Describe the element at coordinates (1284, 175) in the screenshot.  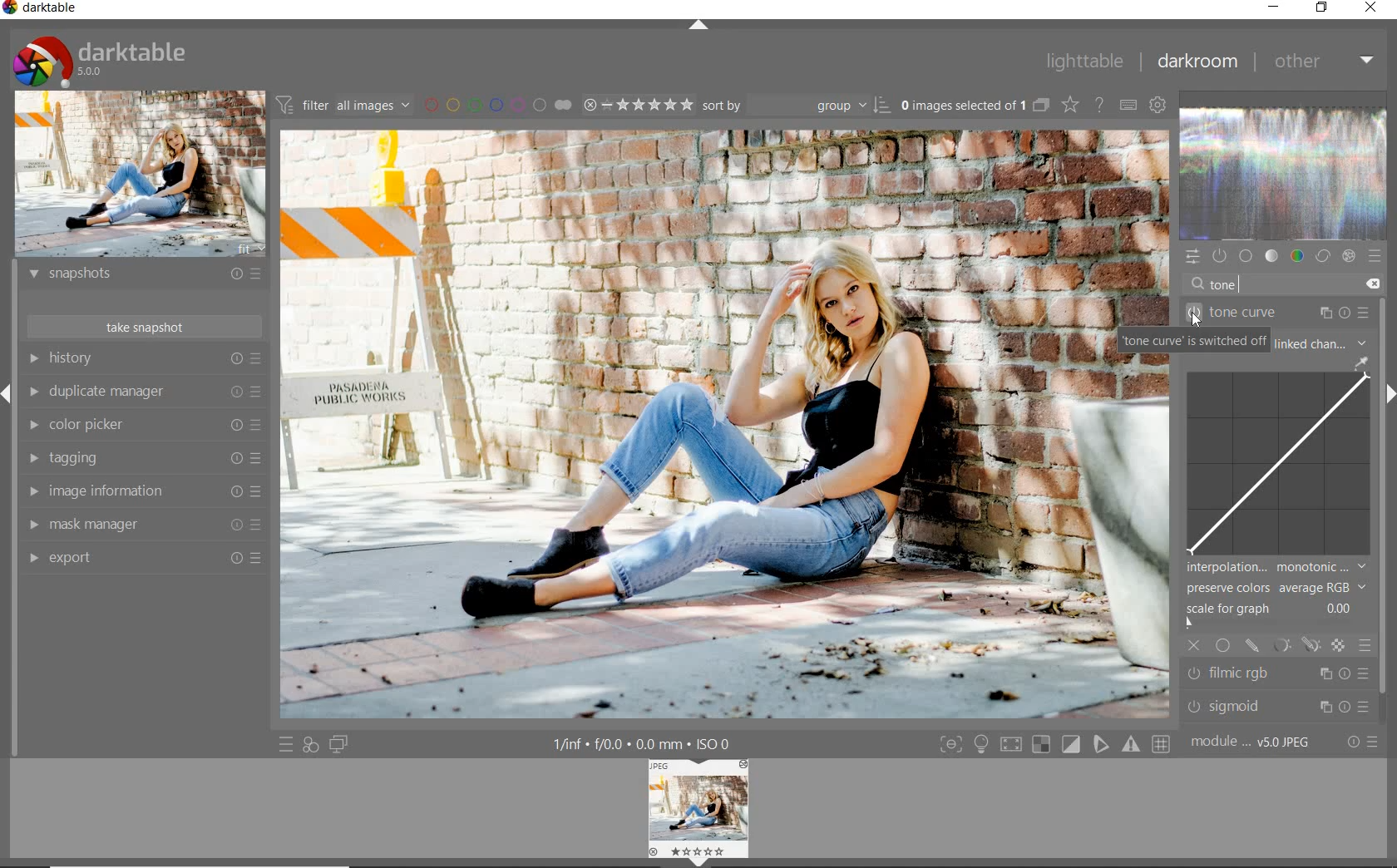
I see `waveform` at that location.